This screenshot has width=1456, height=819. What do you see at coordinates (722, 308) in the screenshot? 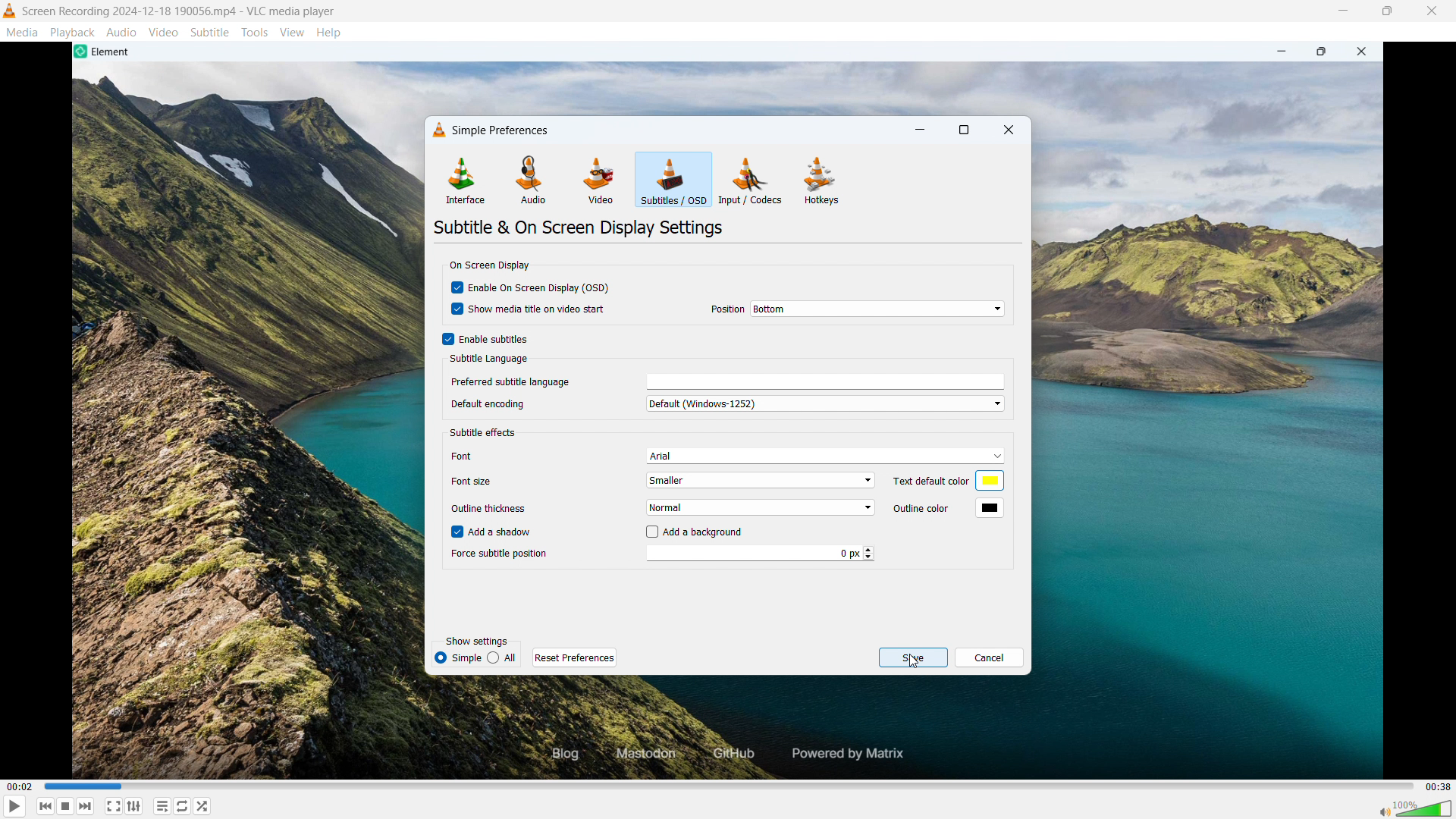
I see `Postion` at bounding box center [722, 308].